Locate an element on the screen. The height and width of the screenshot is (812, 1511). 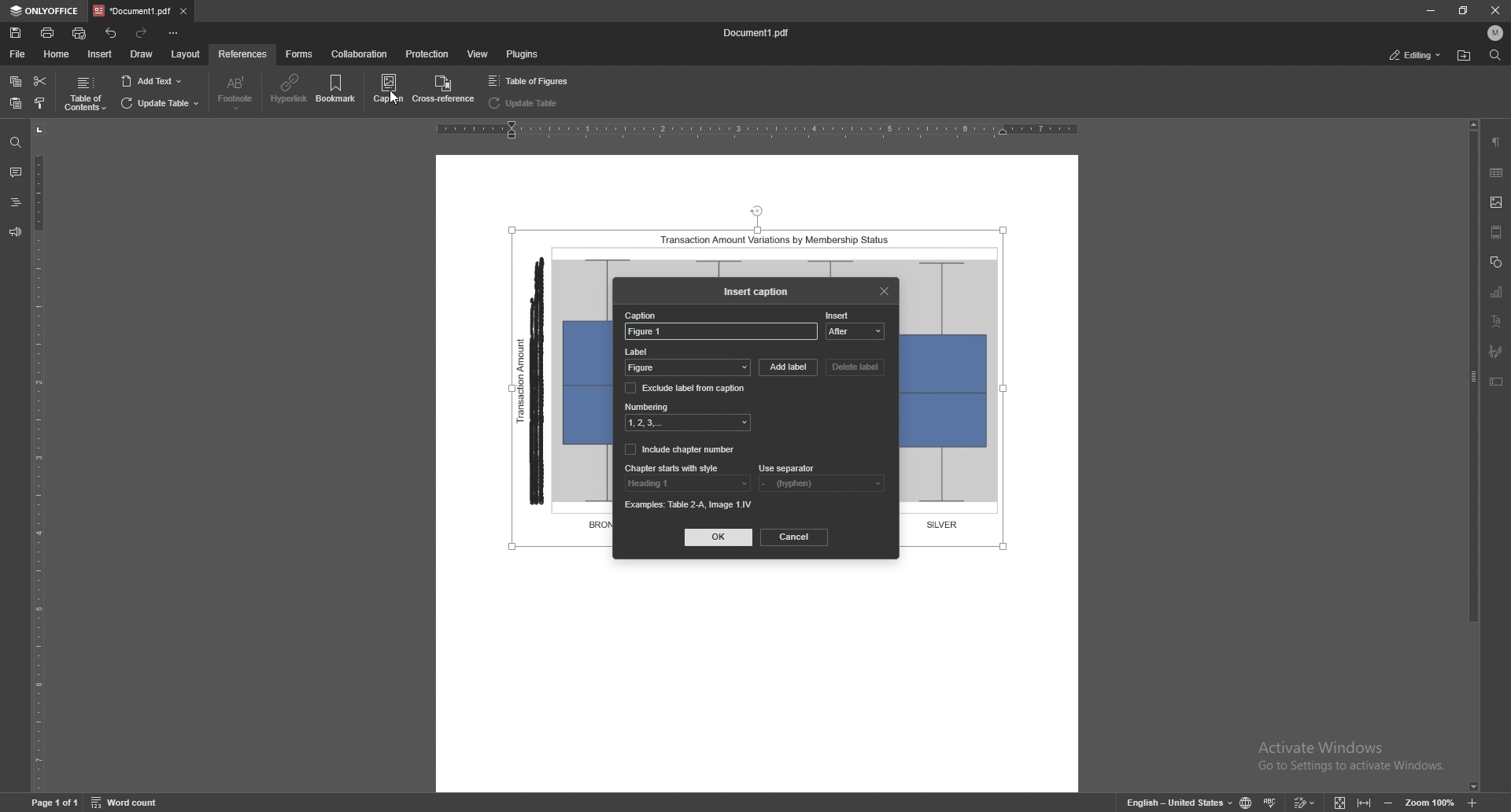
cut is located at coordinates (40, 82).